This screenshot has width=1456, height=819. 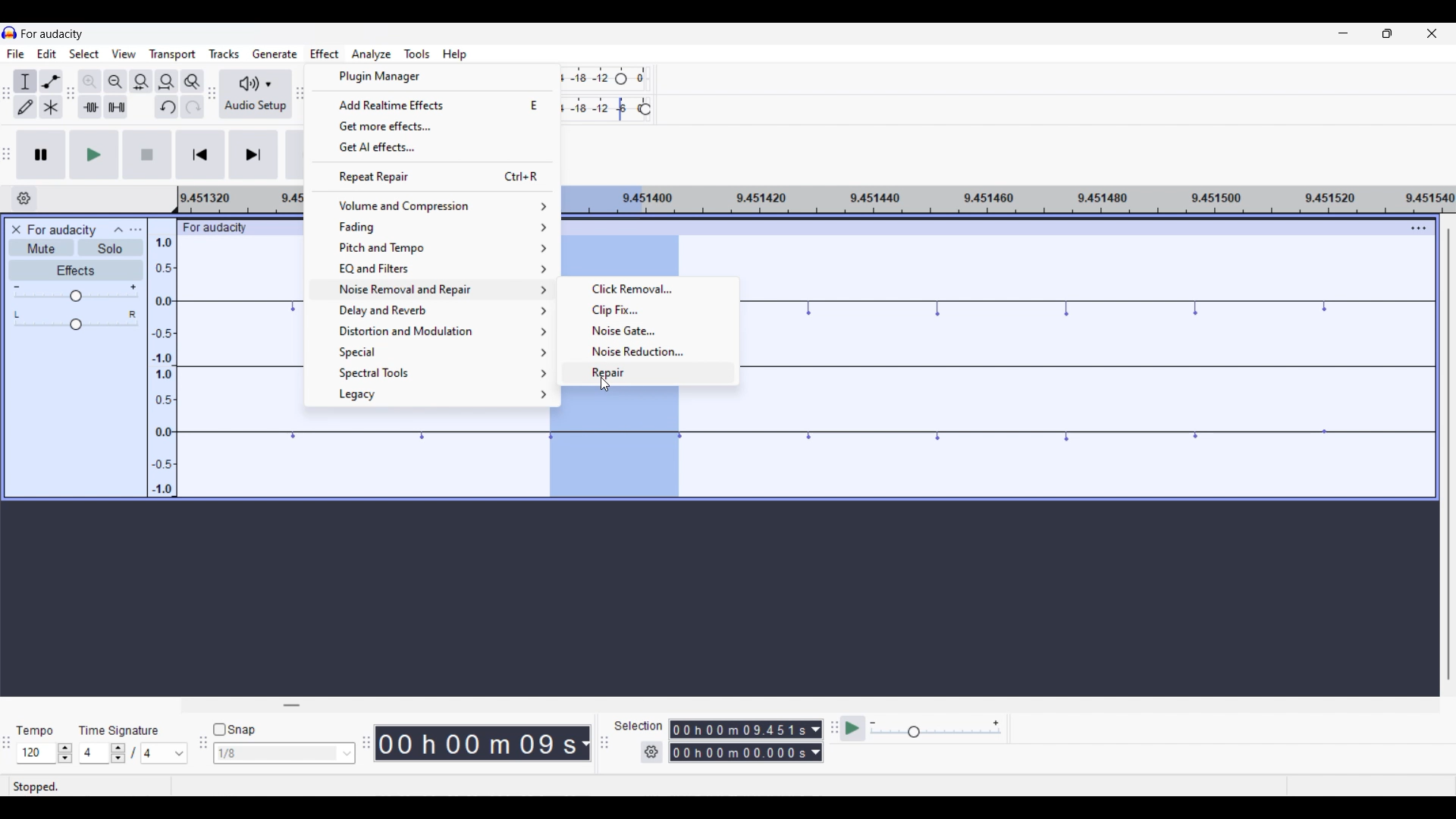 What do you see at coordinates (1091, 368) in the screenshot?
I see `Current track` at bounding box center [1091, 368].